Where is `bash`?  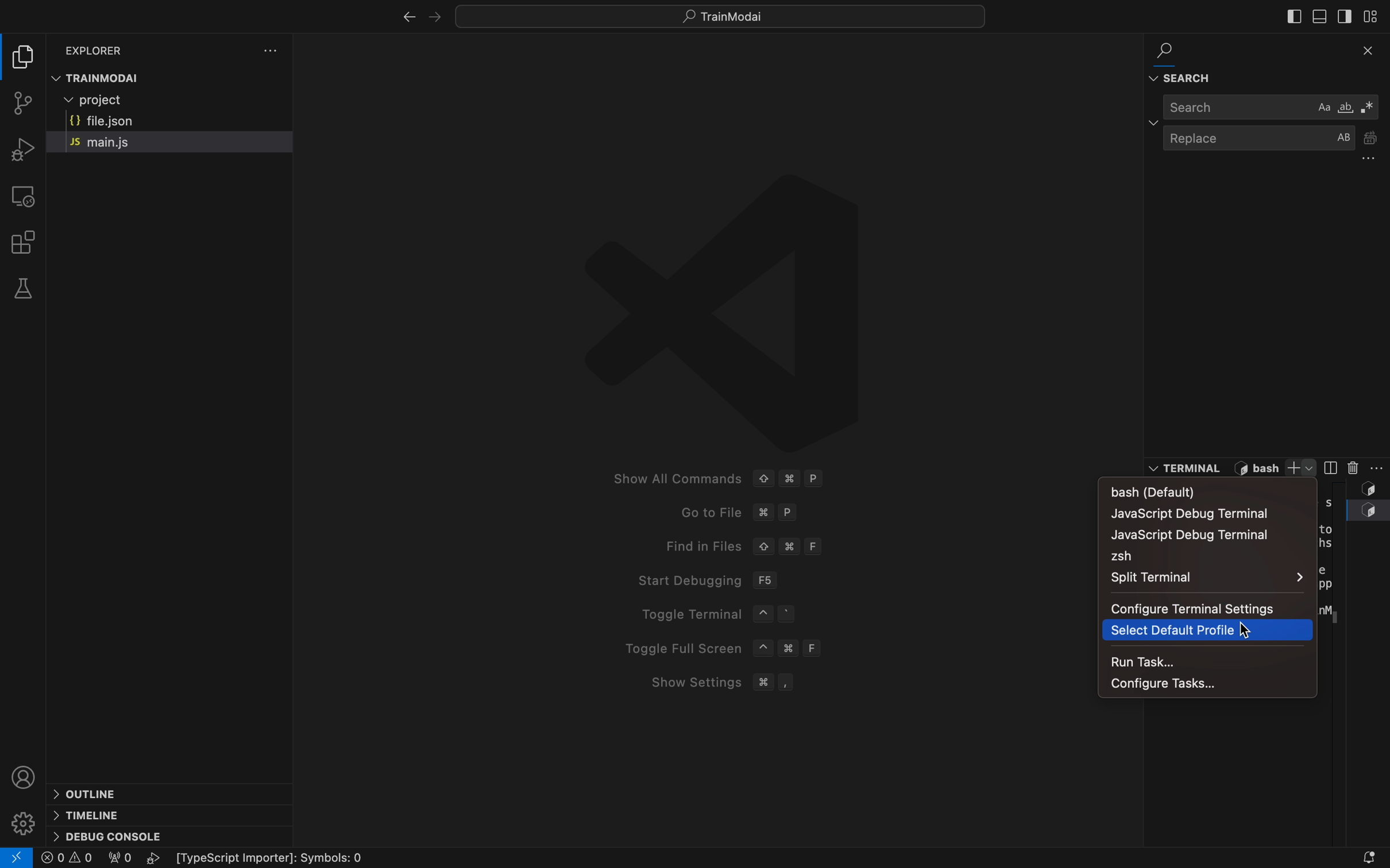
bash is located at coordinates (1163, 491).